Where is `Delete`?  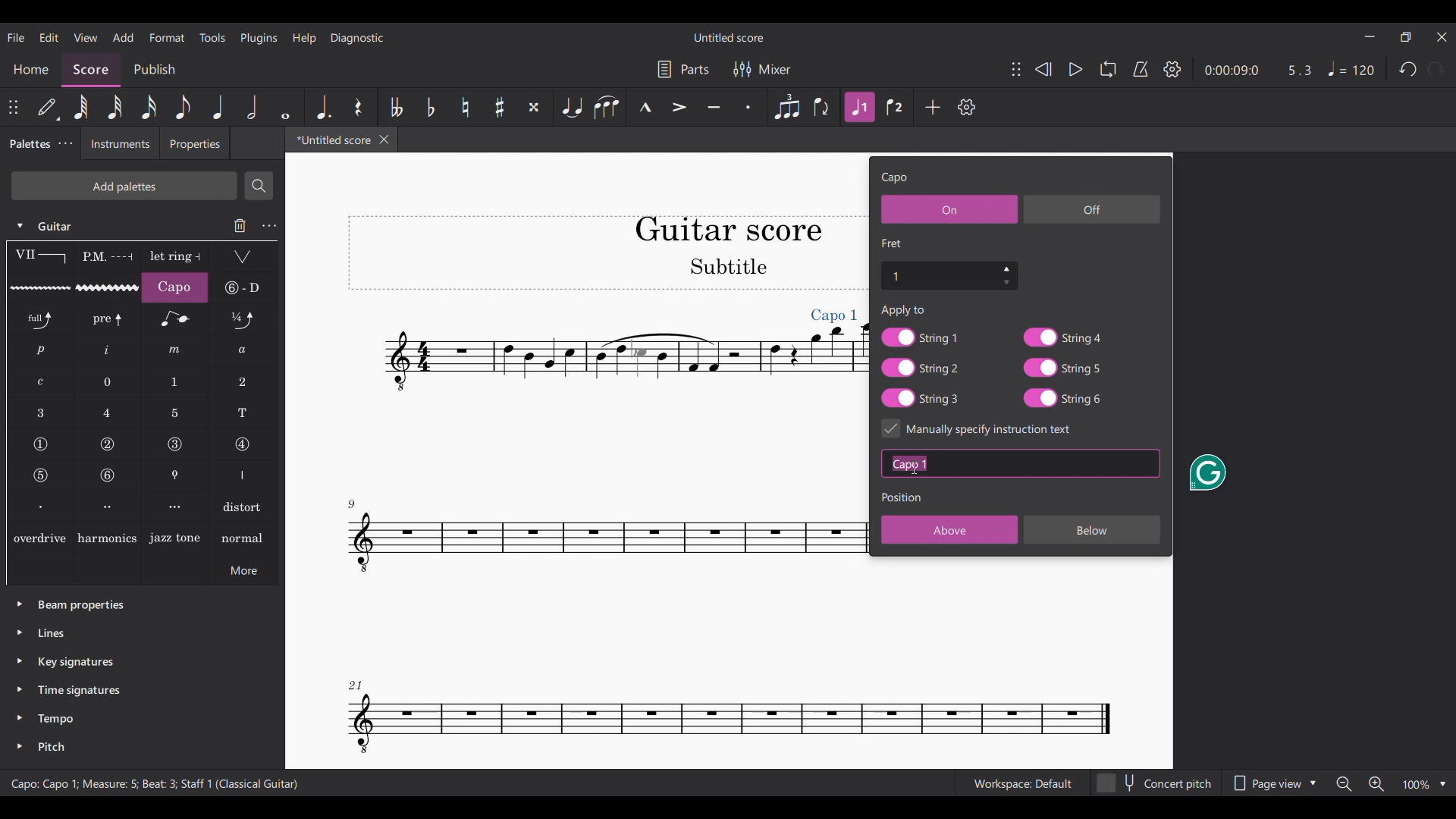 Delete is located at coordinates (240, 225).